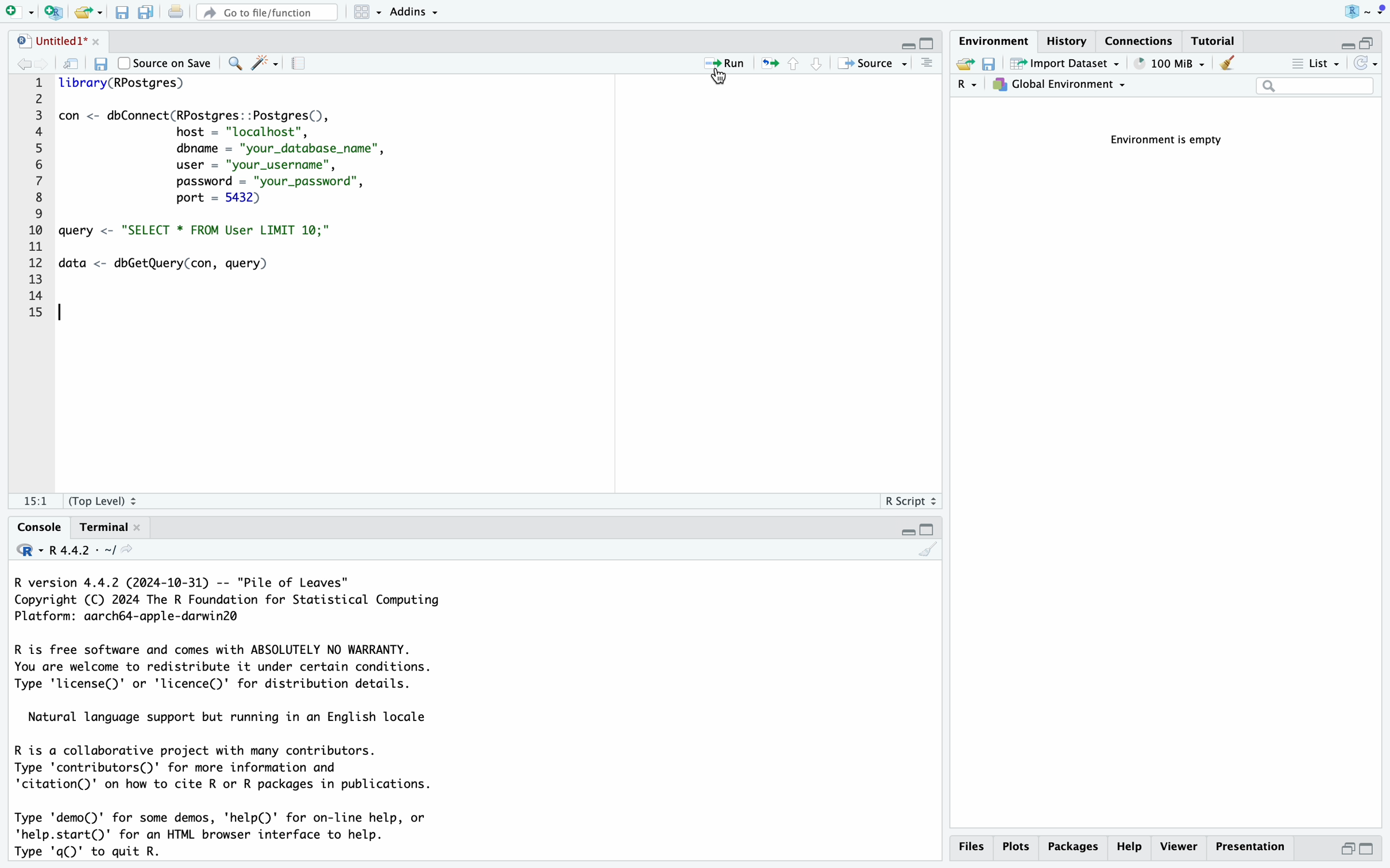 Image resolution: width=1390 pixels, height=868 pixels. What do you see at coordinates (1380, 10) in the screenshot?
I see `dropdown` at bounding box center [1380, 10].